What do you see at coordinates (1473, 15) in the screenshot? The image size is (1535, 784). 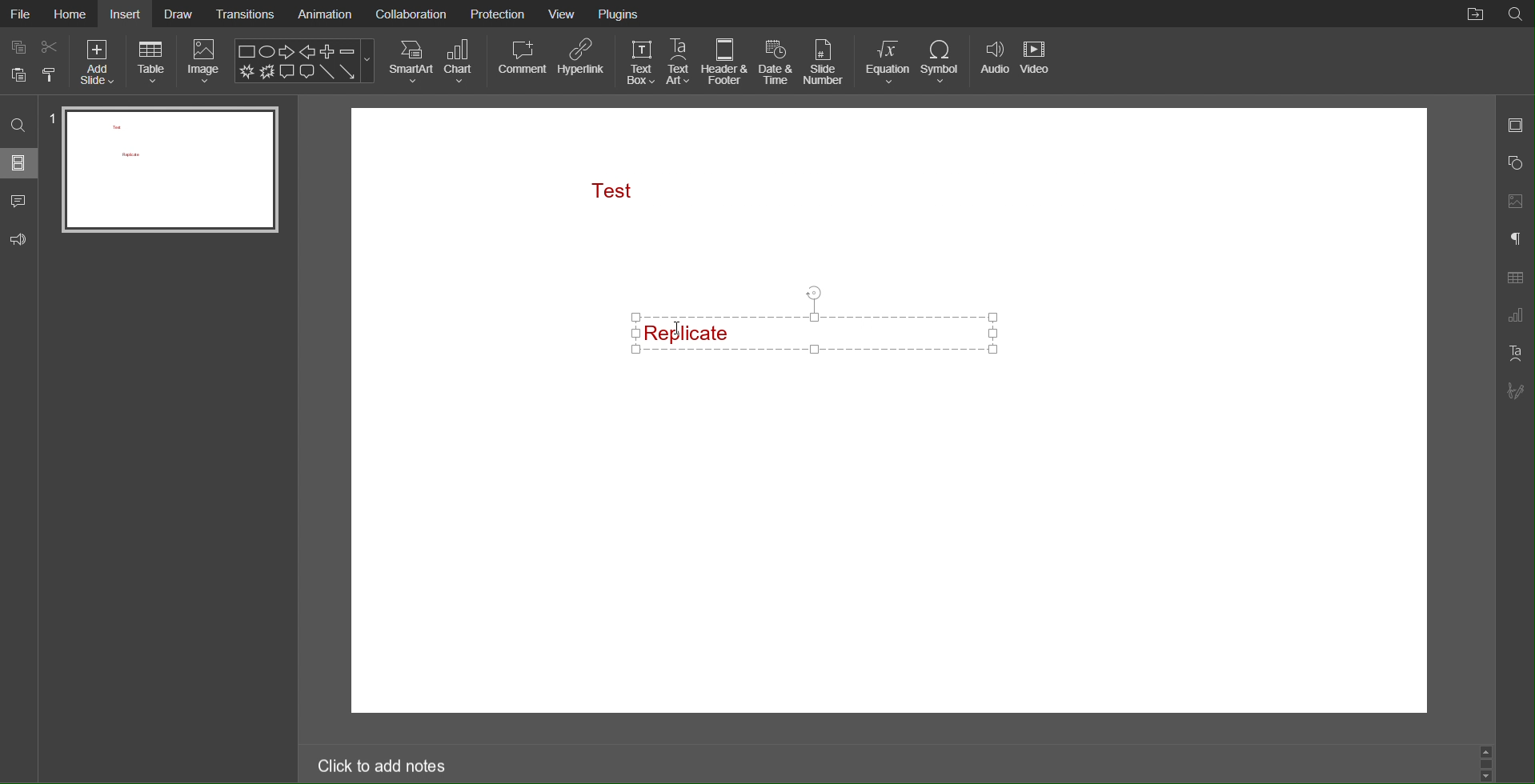 I see `File Location` at bounding box center [1473, 15].